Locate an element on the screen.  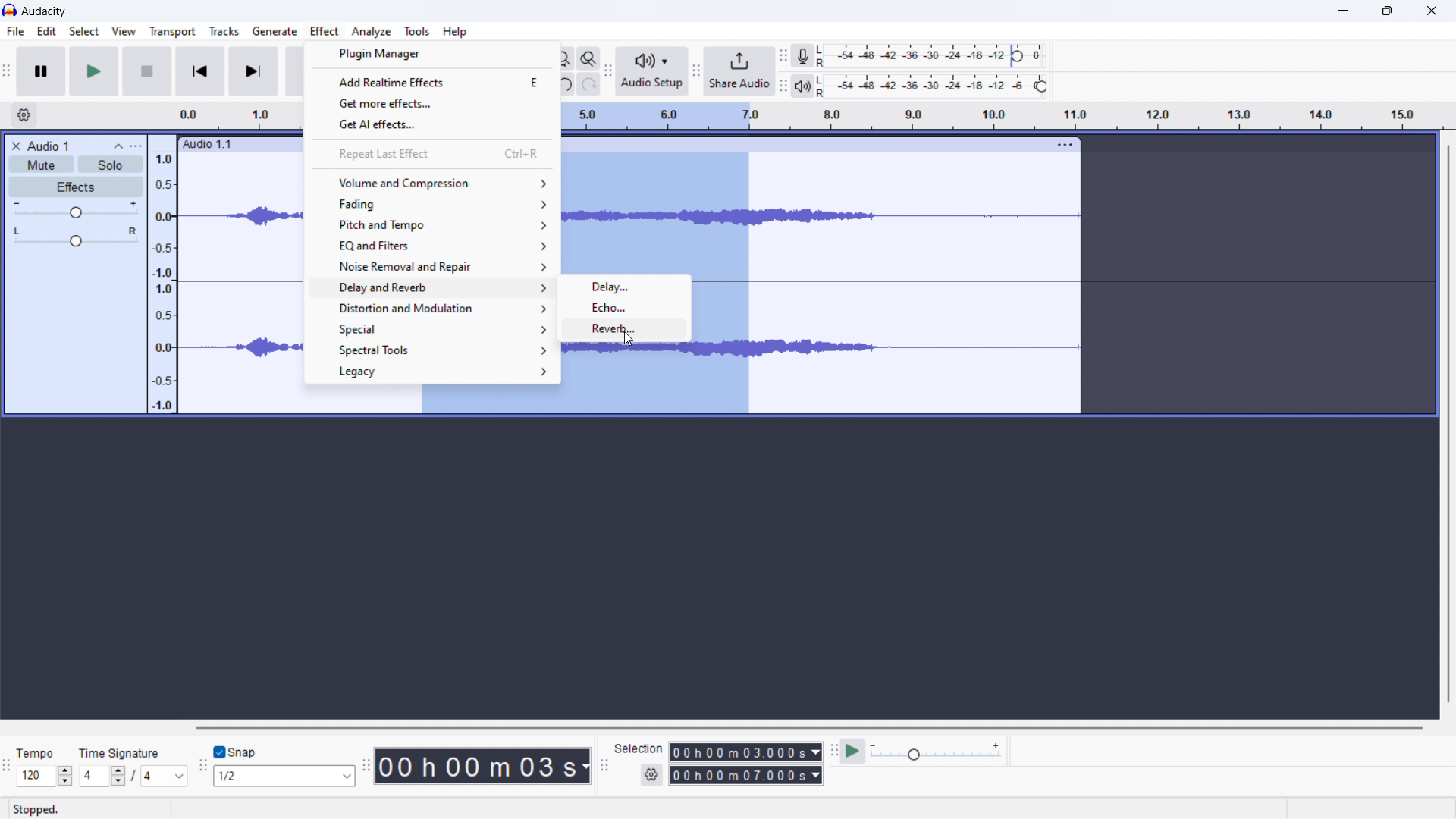
00 h 00 m 07.000 s is located at coordinates (745, 777).